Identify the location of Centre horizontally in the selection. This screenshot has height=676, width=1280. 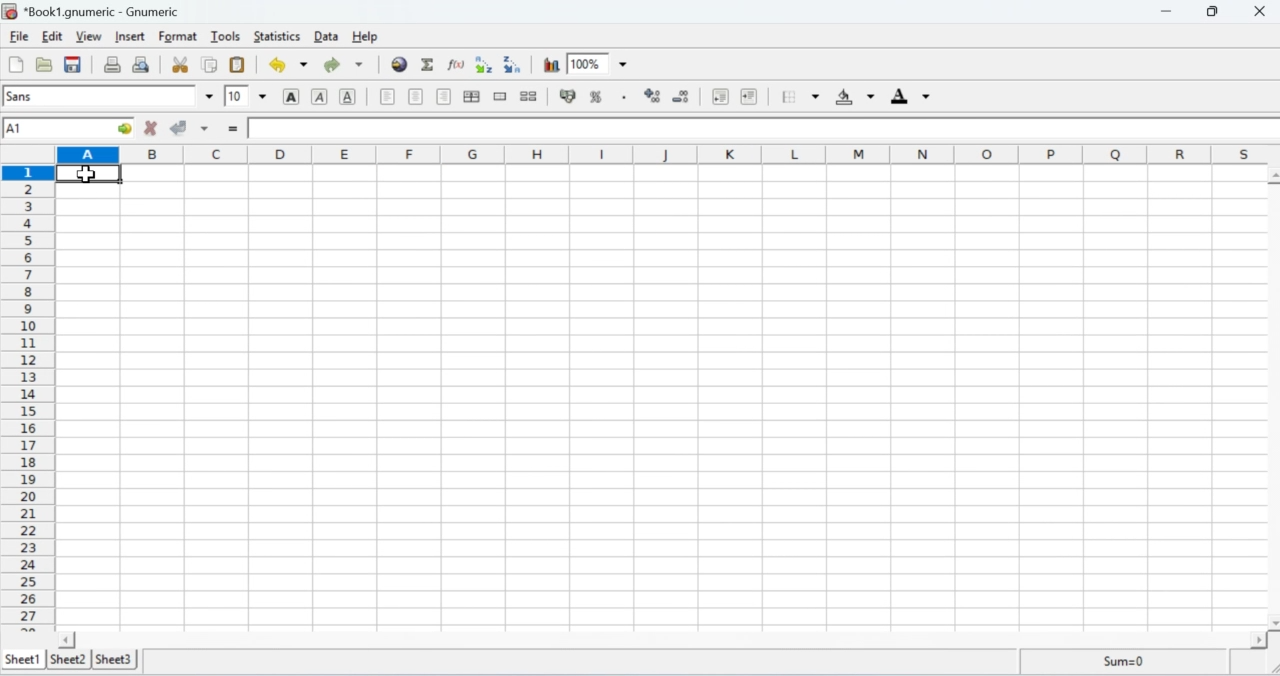
(474, 98).